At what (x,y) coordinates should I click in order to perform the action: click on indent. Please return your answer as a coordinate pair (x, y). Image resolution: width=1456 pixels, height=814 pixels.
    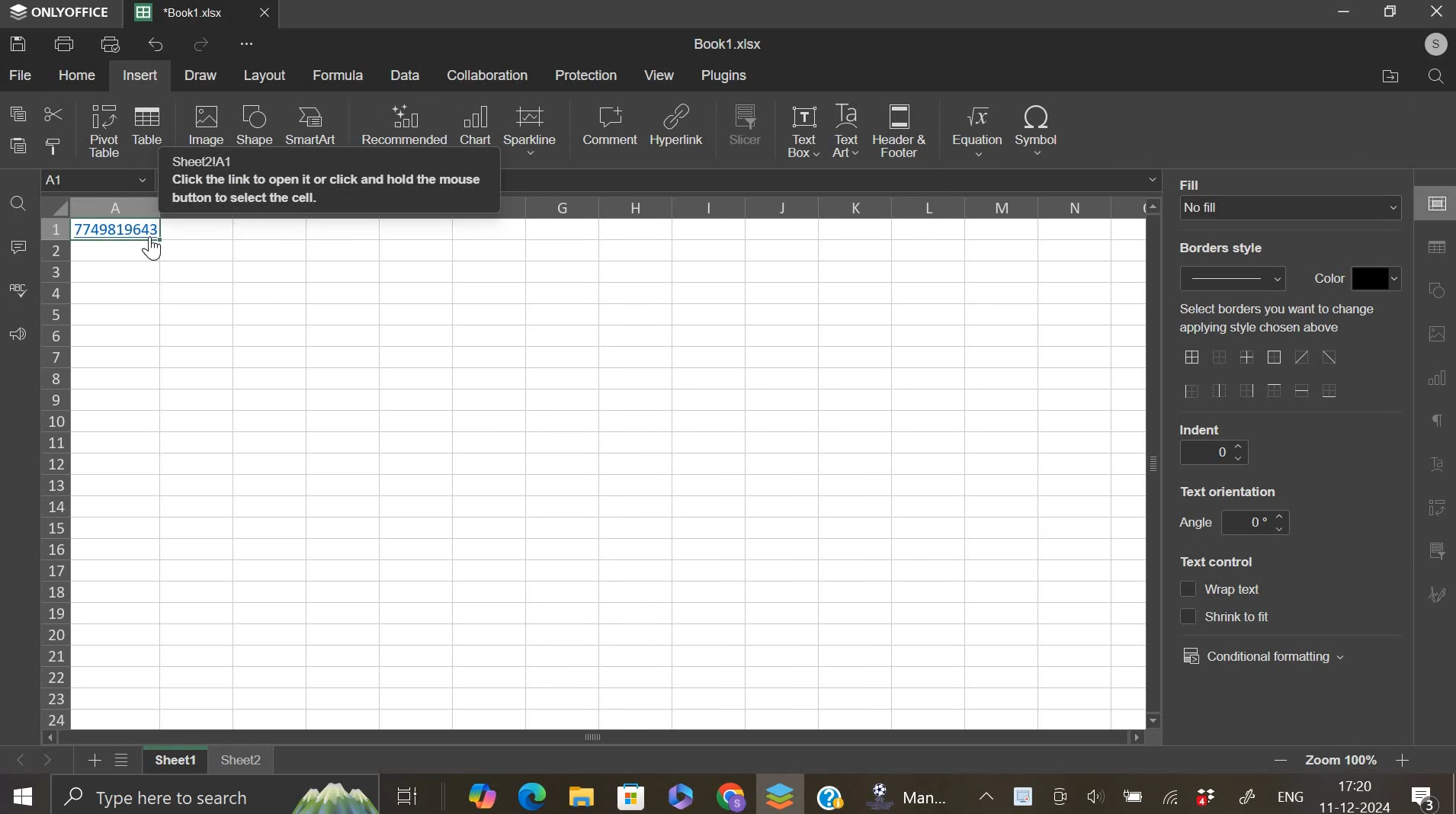
    Looking at the image, I should click on (1213, 453).